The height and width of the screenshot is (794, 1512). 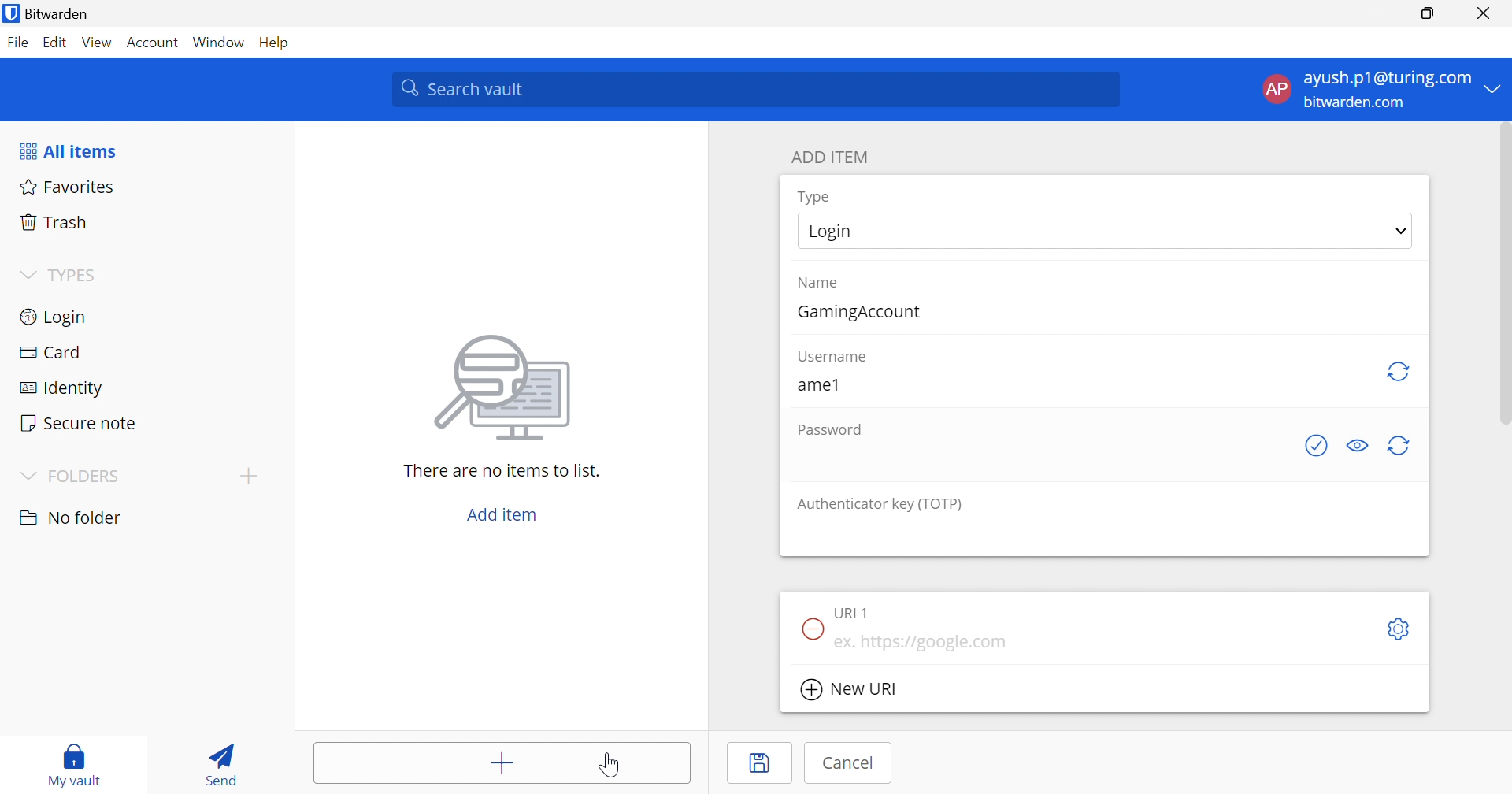 I want to click on Identity, so click(x=63, y=390).